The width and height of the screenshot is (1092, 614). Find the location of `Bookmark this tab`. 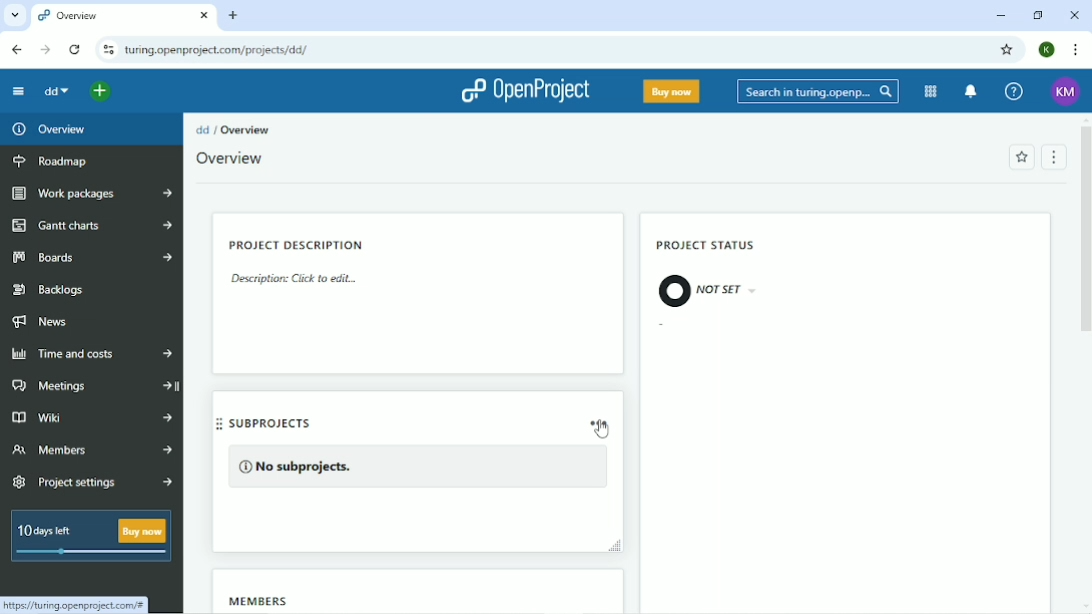

Bookmark this tab is located at coordinates (1005, 49).